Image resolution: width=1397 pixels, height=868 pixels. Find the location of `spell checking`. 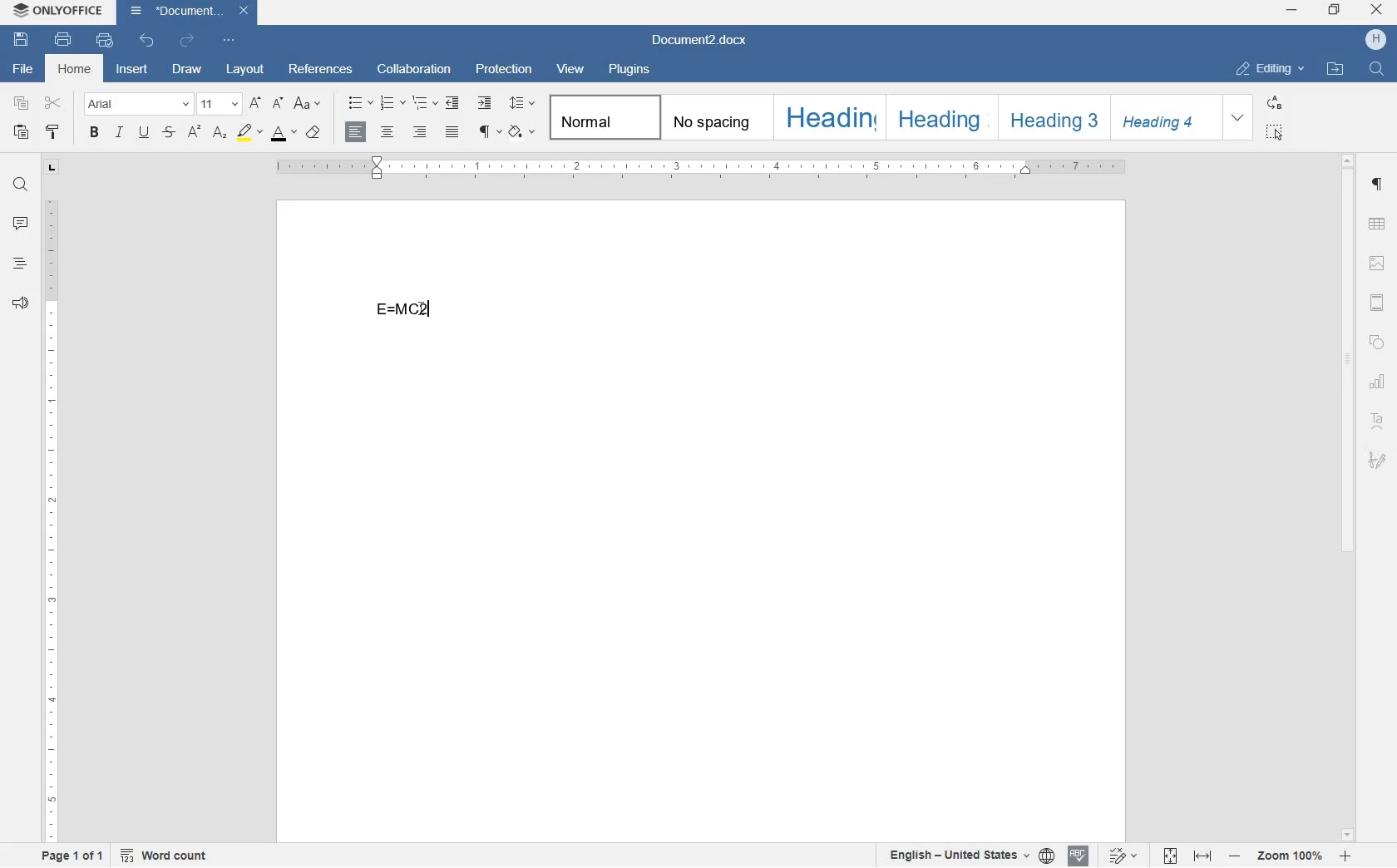

spell checking is located at coordinates (1077, 856).